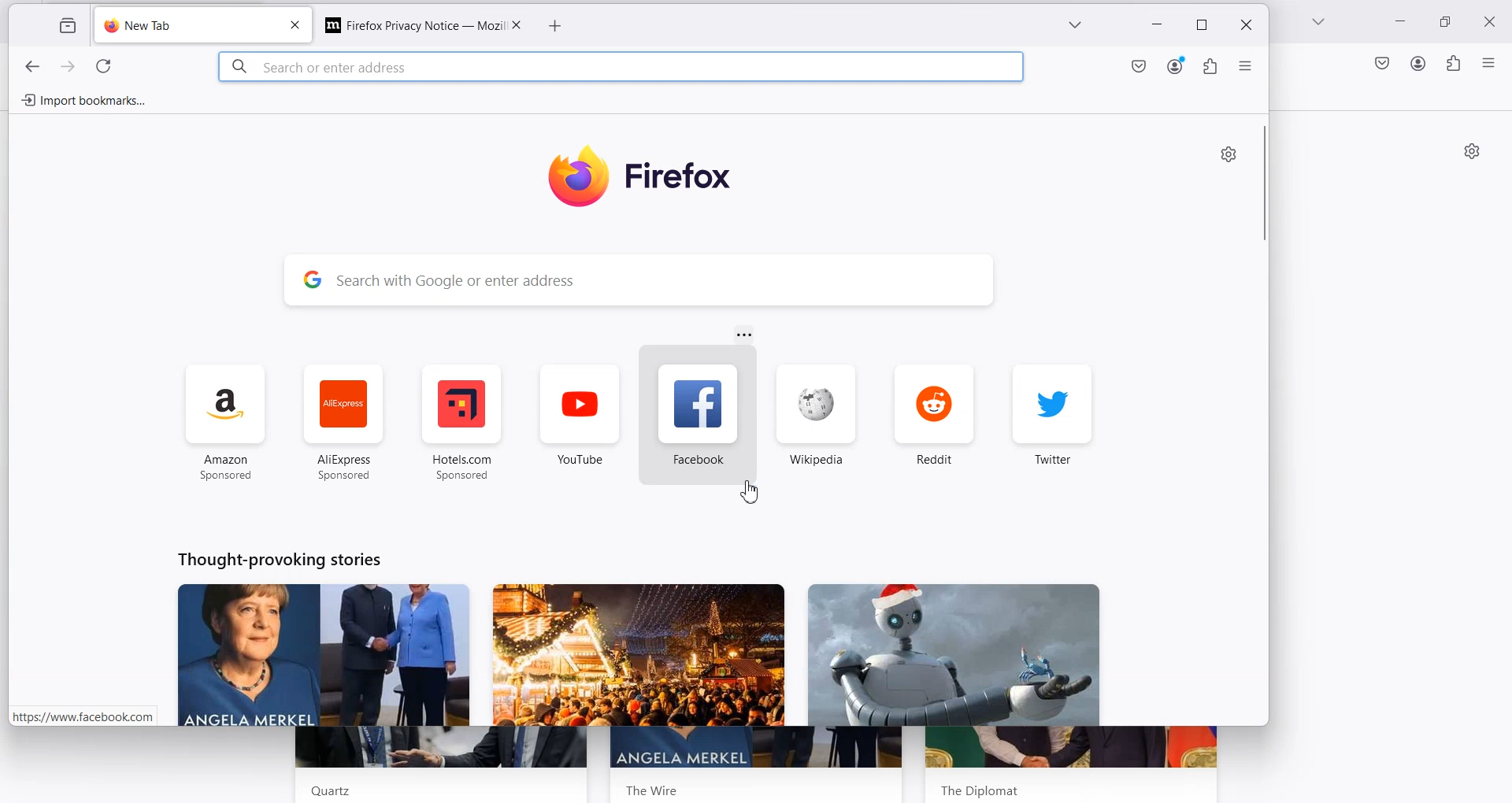 The image size is (1512, 803). What do you see at coordinates (216, 421) in the screenshot?
I see `amazon` at bounding box center [216, 421].